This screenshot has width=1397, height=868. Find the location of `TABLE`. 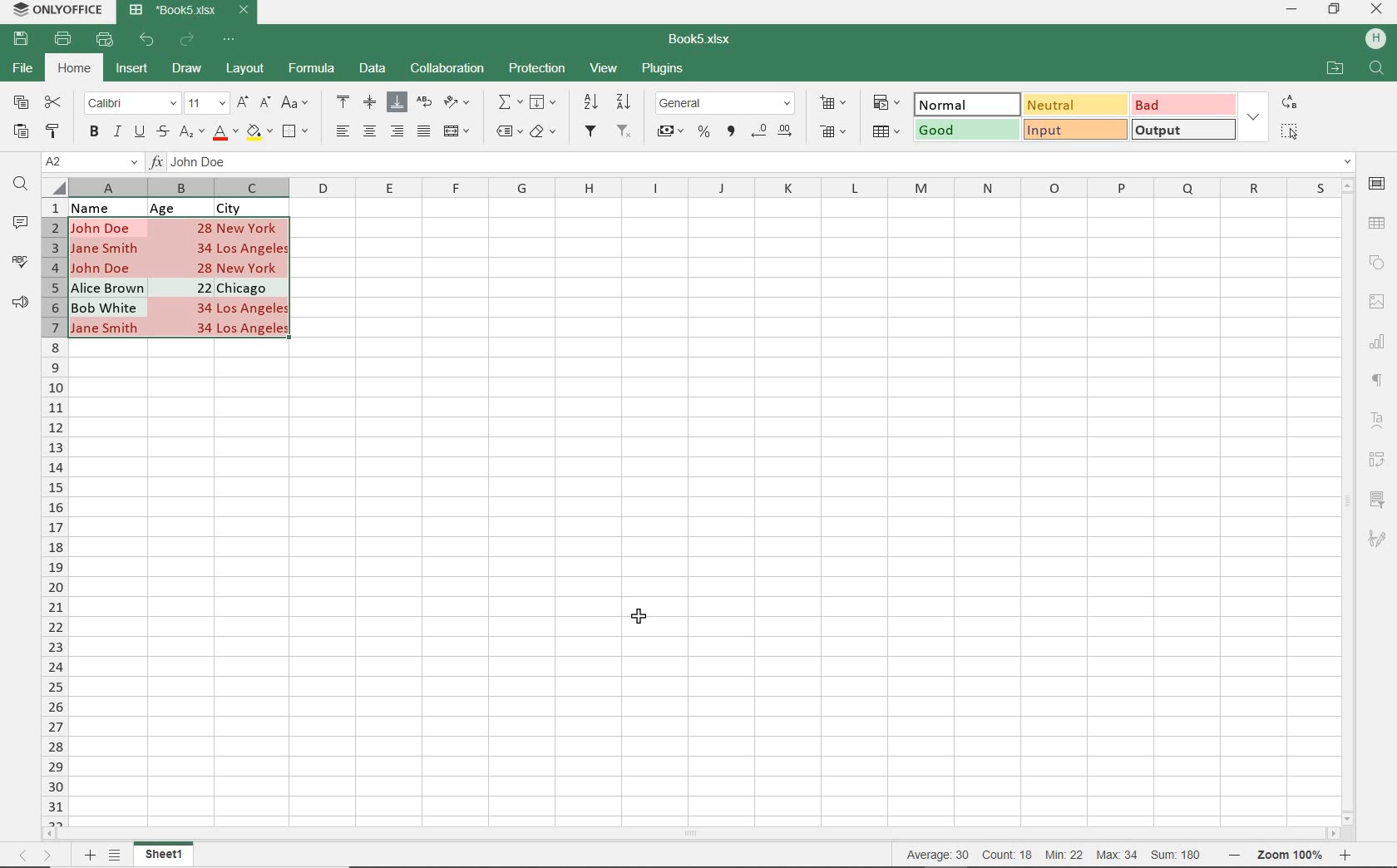

TABLE is located at coordinates (1378, 223).